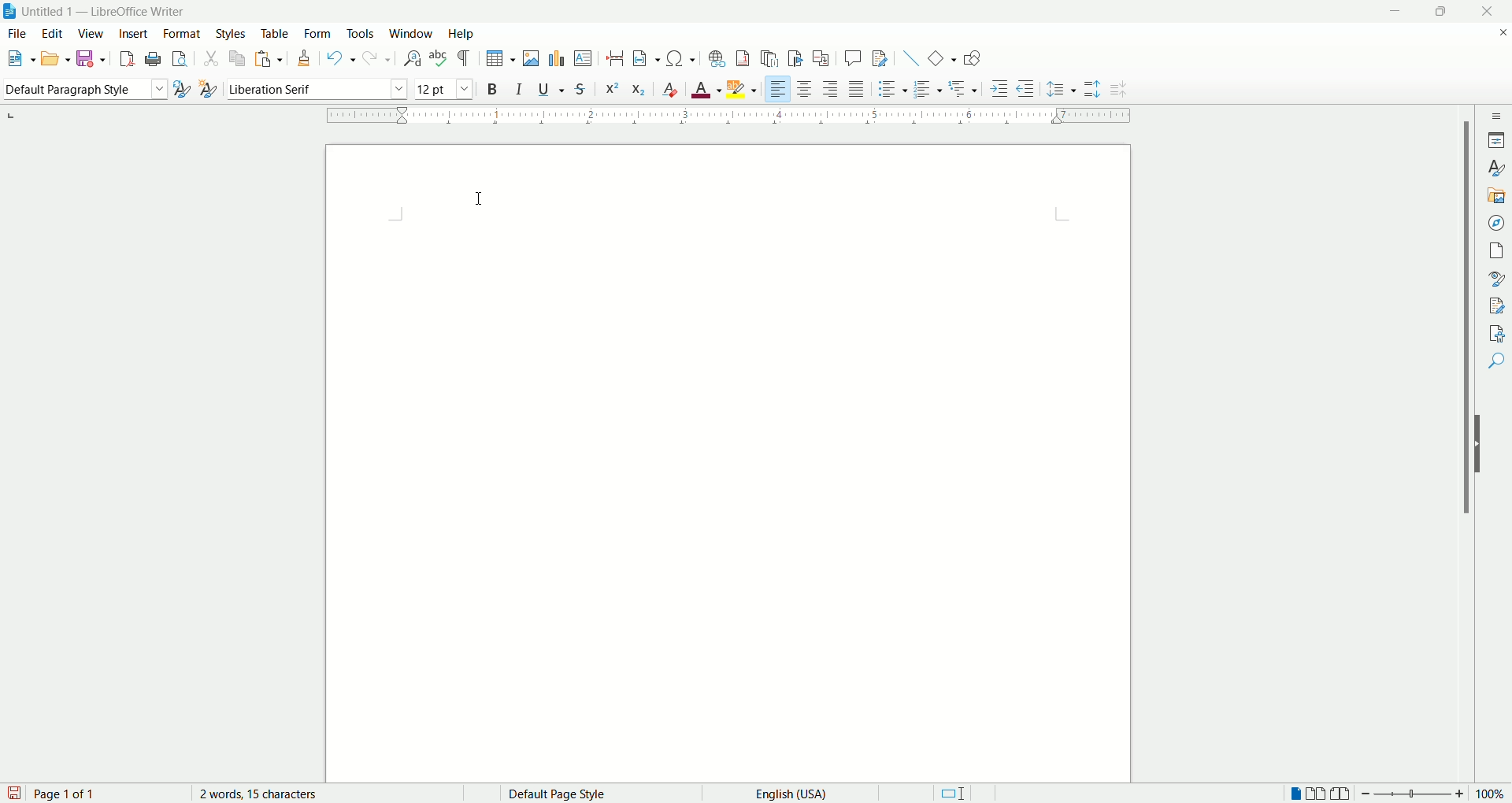 This screenshot has height=803, width=1512. I want to click on word count, so click(323, 794).